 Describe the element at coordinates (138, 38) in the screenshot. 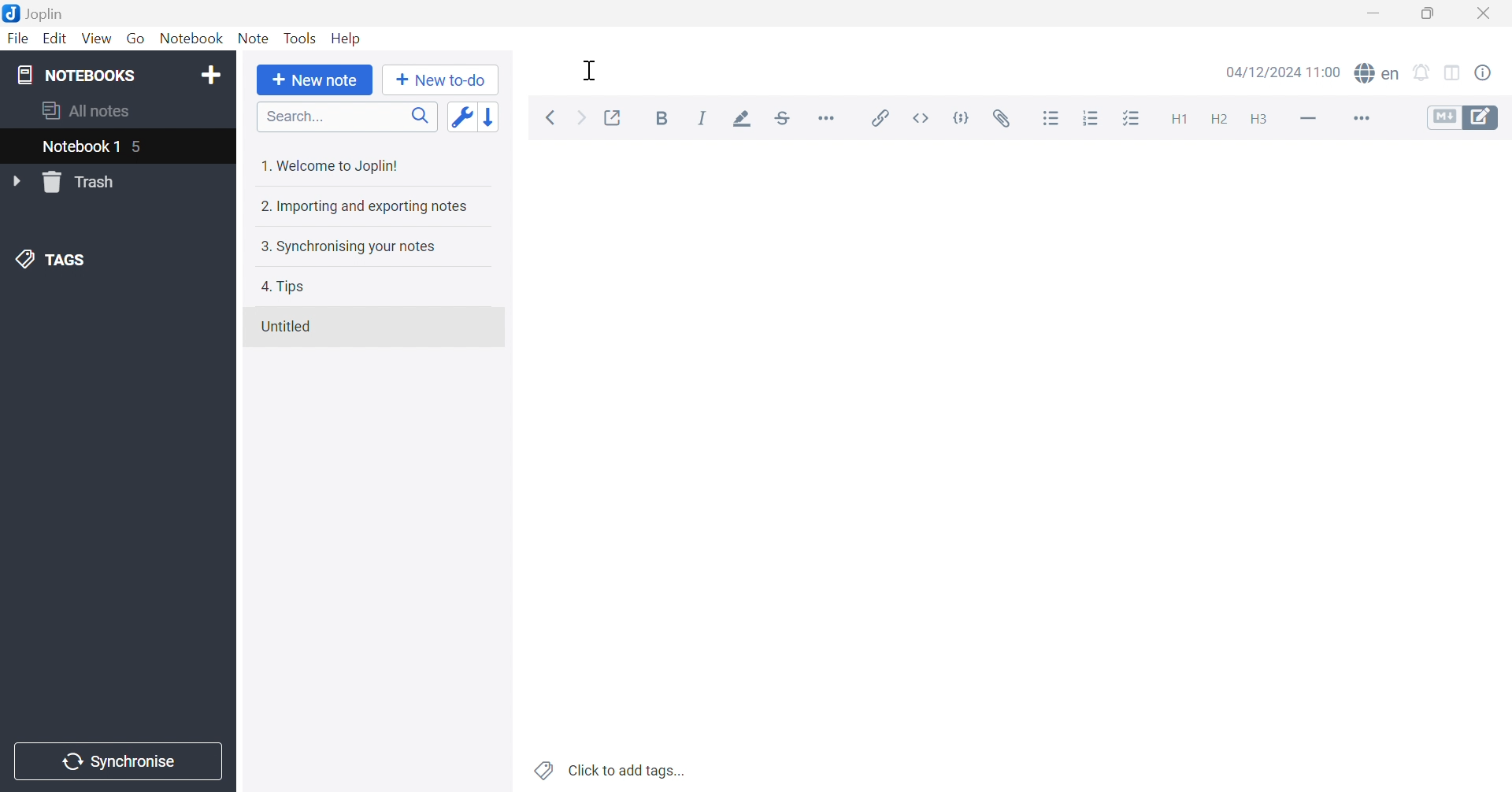

I see `Go` at that location.